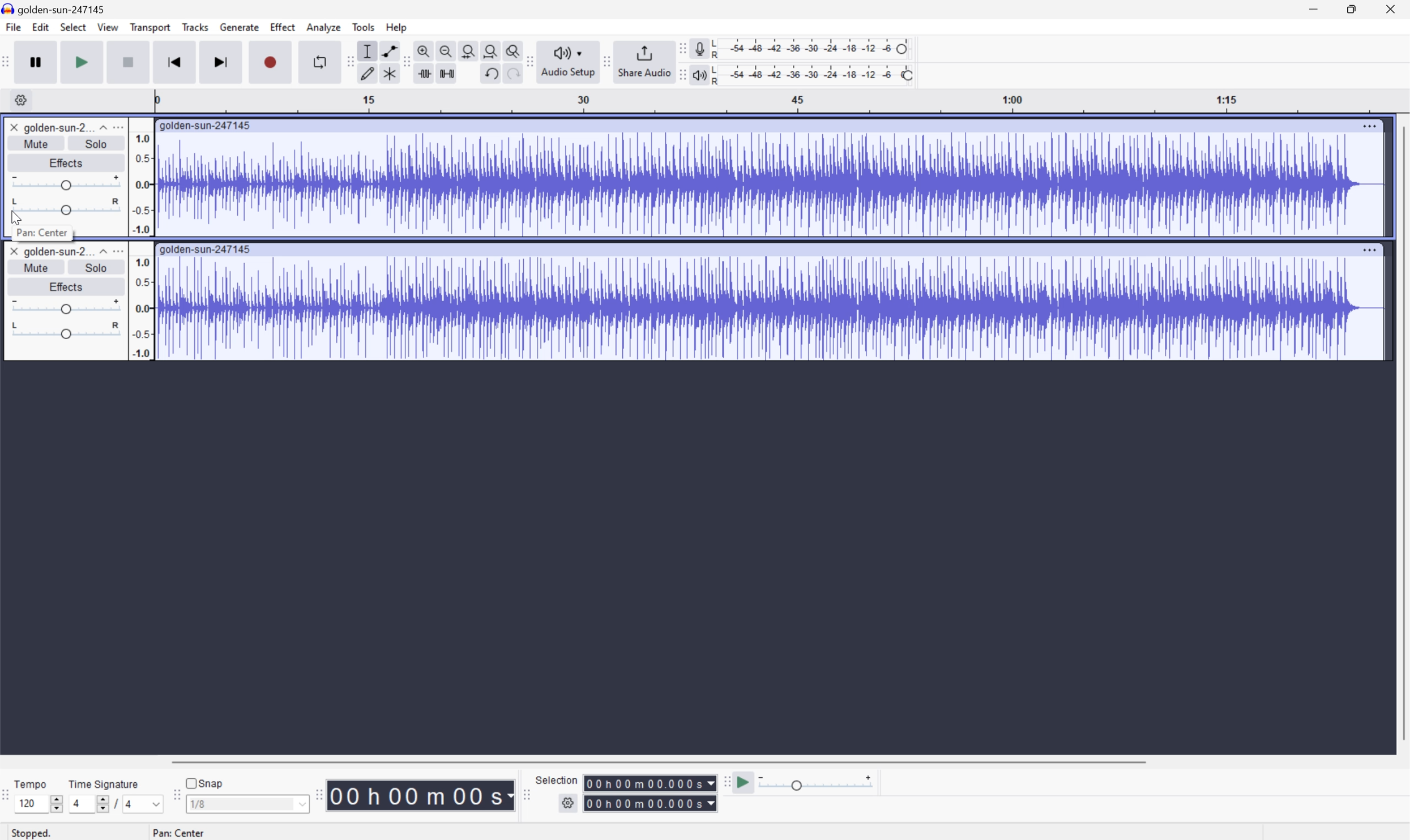 This screenshot has width=1410, height=840. Describe the element at coordinates (133, 804) in the screenshot. I see `4` at that location.